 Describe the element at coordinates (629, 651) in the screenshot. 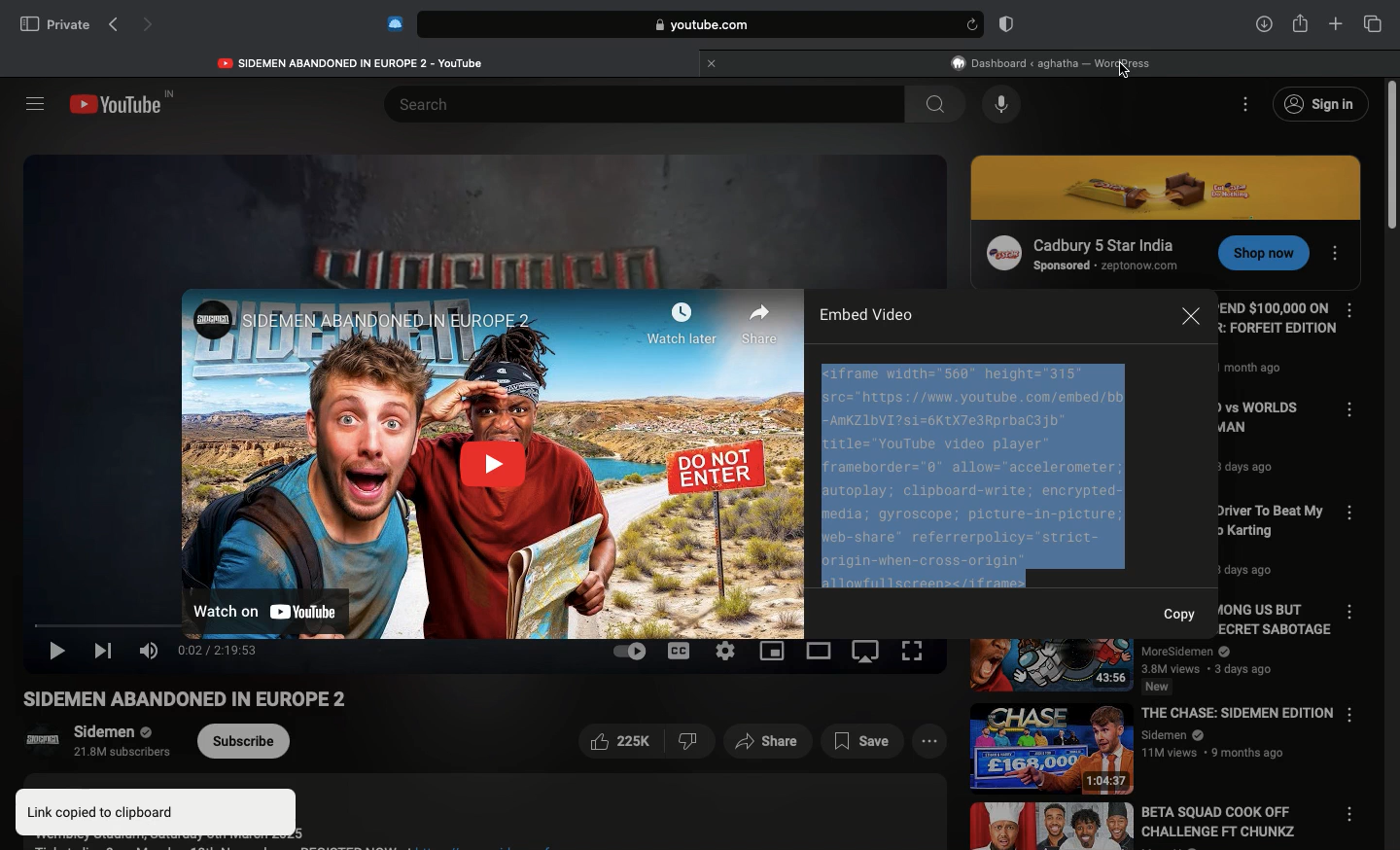

I see `Auto` at that location.